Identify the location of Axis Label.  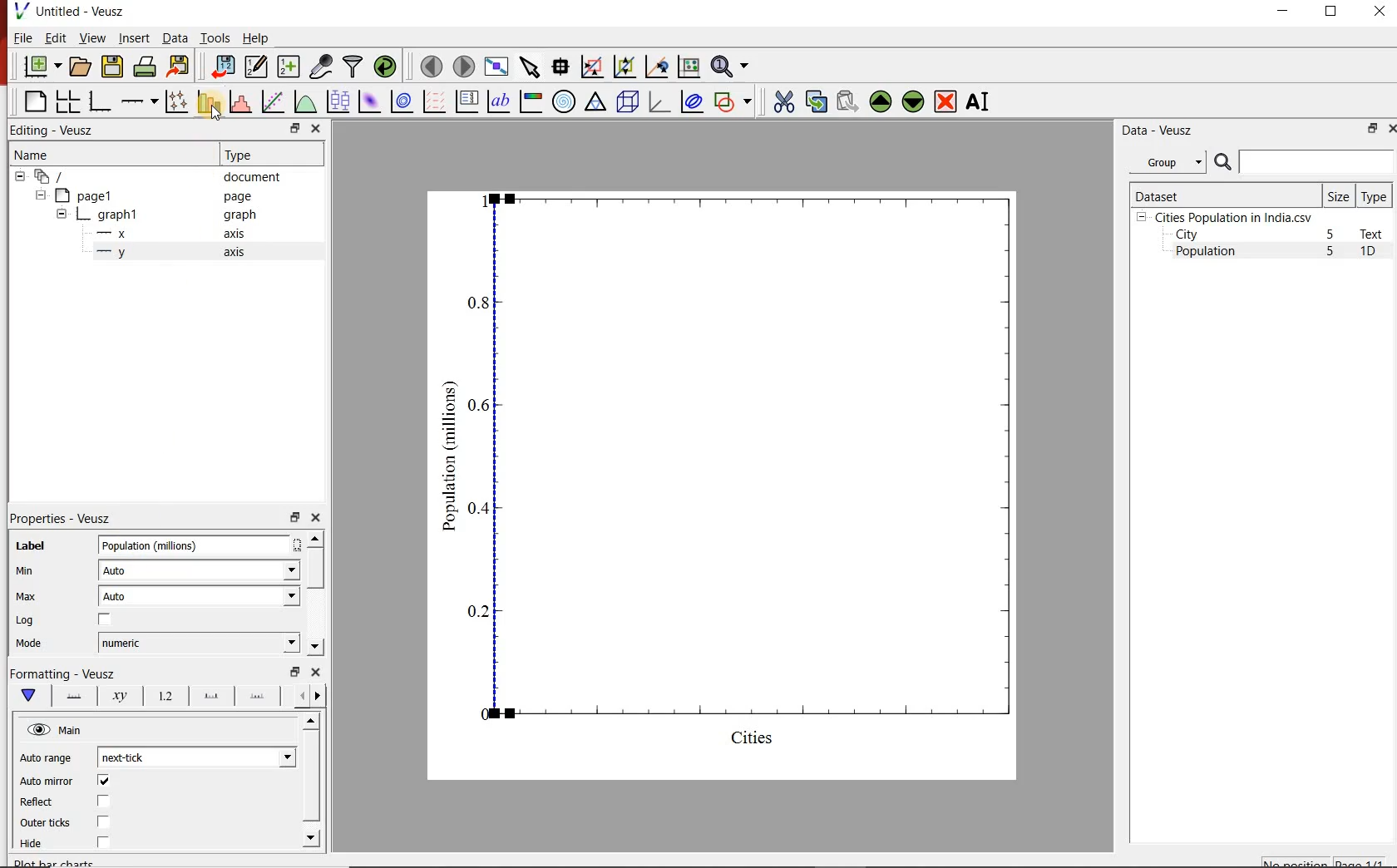
(116, 699).